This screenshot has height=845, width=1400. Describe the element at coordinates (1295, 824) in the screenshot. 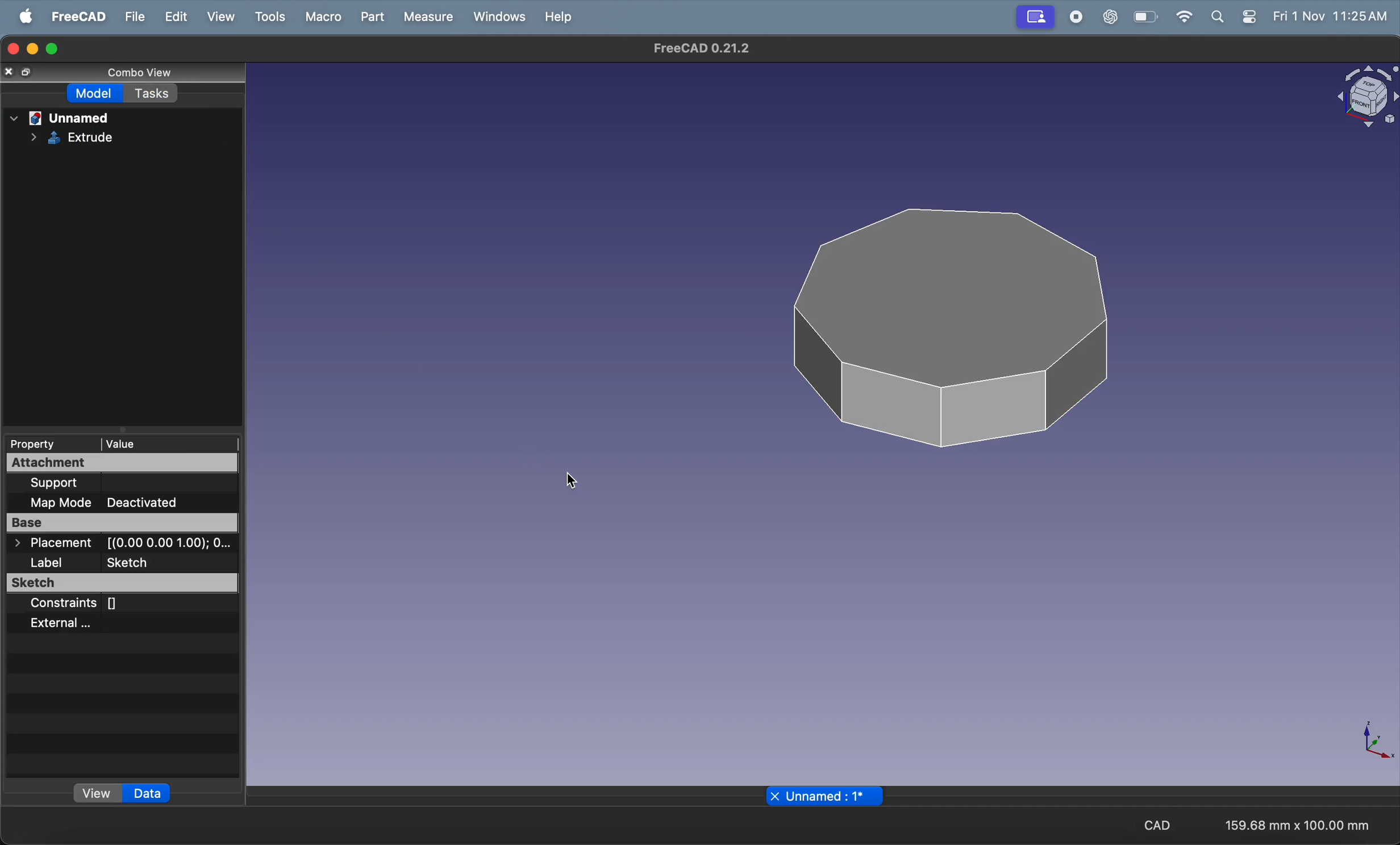

I see `159.68 mm x 100.00 mm` at that location.